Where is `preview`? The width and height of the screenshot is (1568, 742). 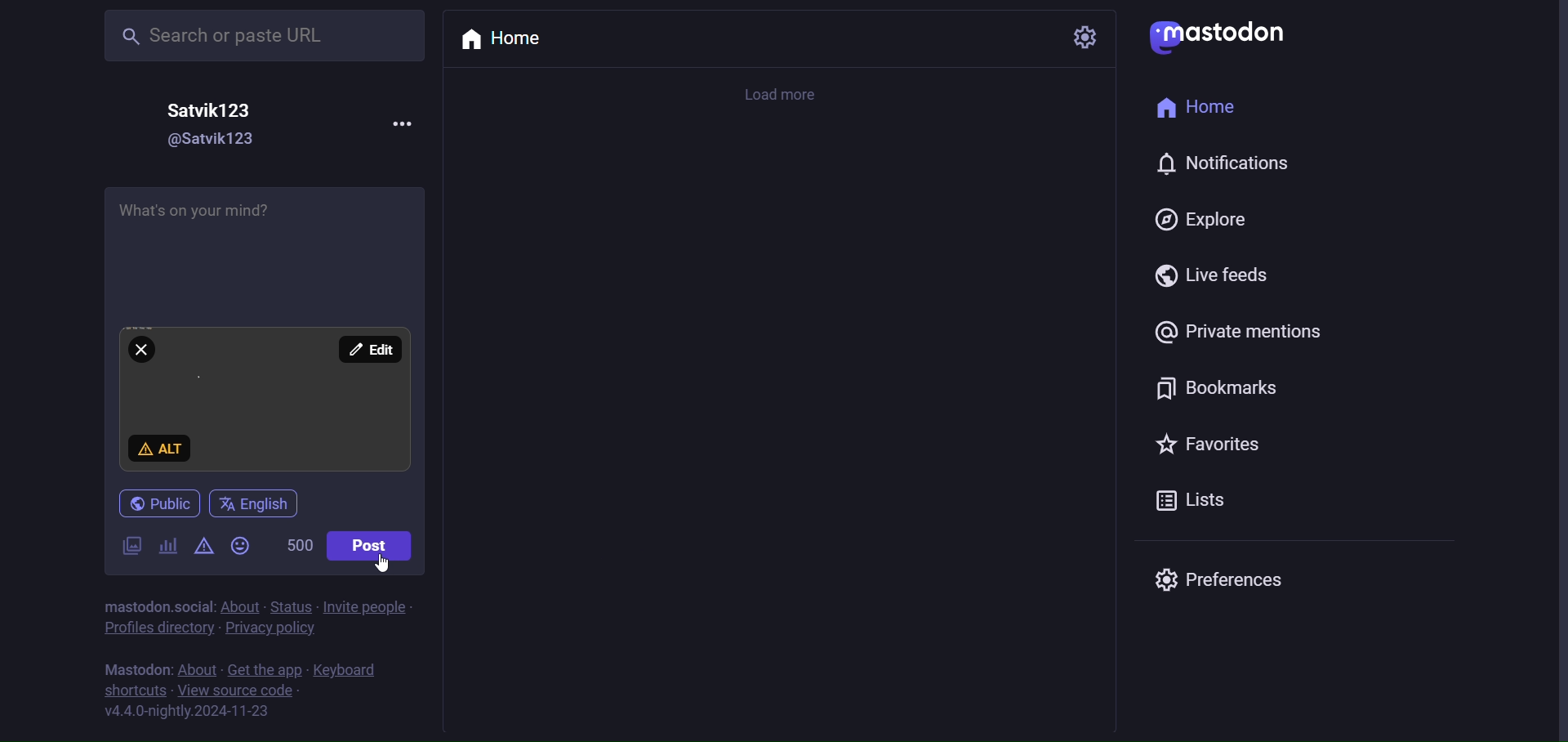
preview is located at coordinates (263, 398).